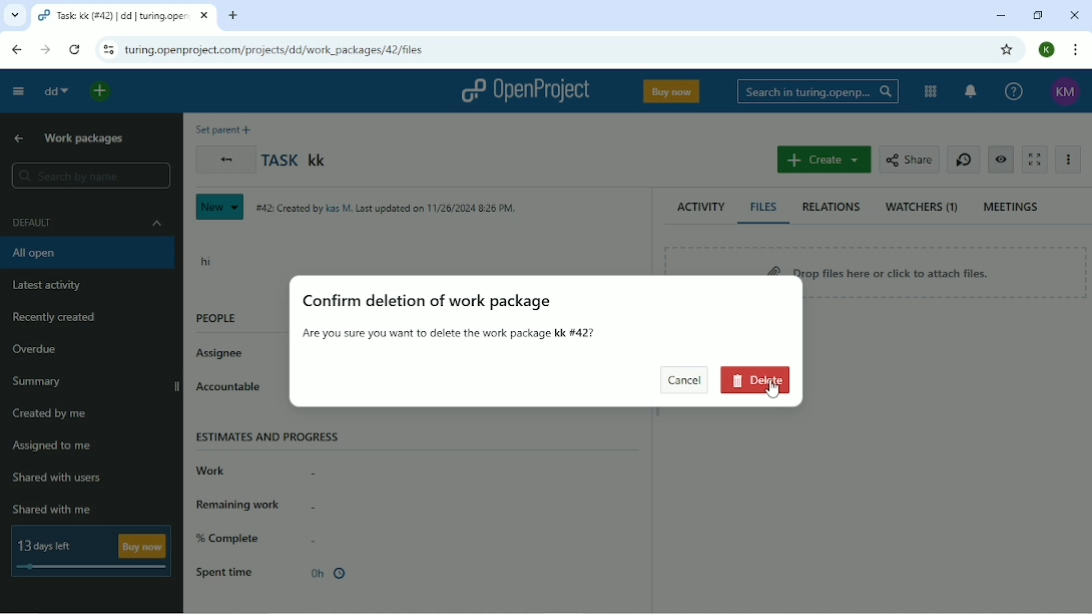 The height and width of the screenshot is (614, 1092). What do you see at coordinates (1064, 92) in the screenshot?
I see `KM` at bounding box center [1064, 92].